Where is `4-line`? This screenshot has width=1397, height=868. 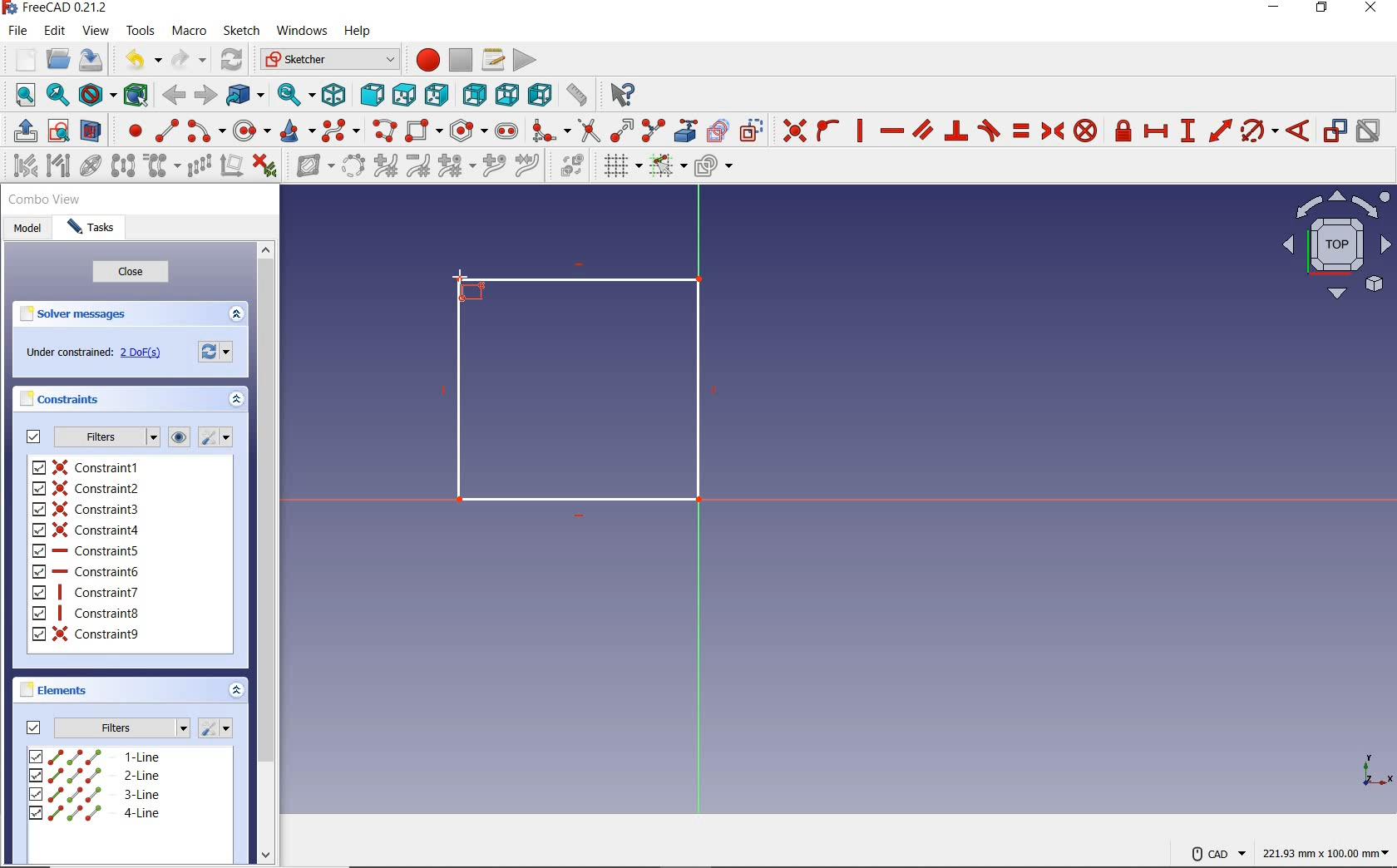 4-line is located at coordinates (94, 813).